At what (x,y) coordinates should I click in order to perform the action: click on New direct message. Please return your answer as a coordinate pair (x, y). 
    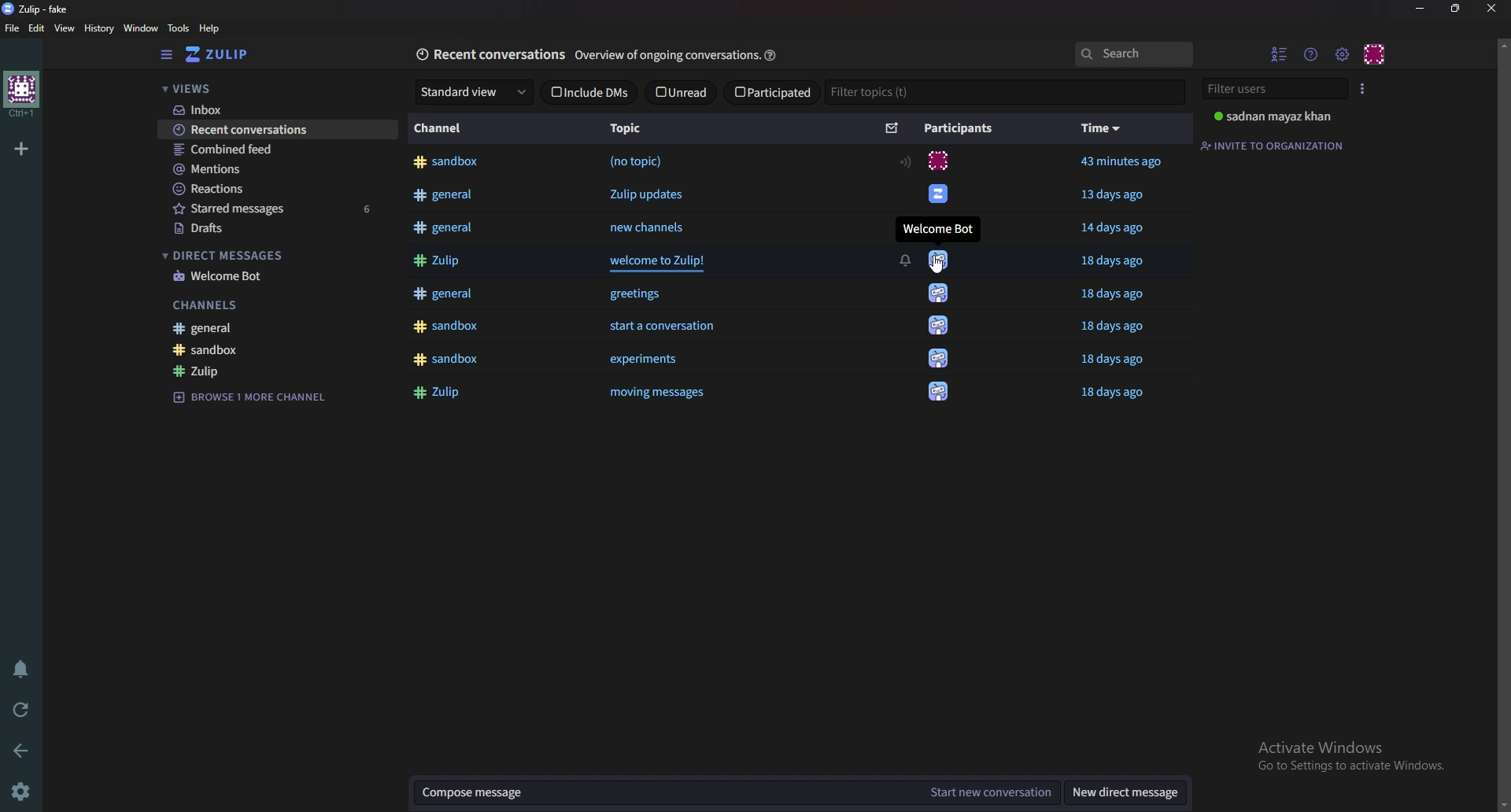
    Looking at the image, I should click on (1125, 789).